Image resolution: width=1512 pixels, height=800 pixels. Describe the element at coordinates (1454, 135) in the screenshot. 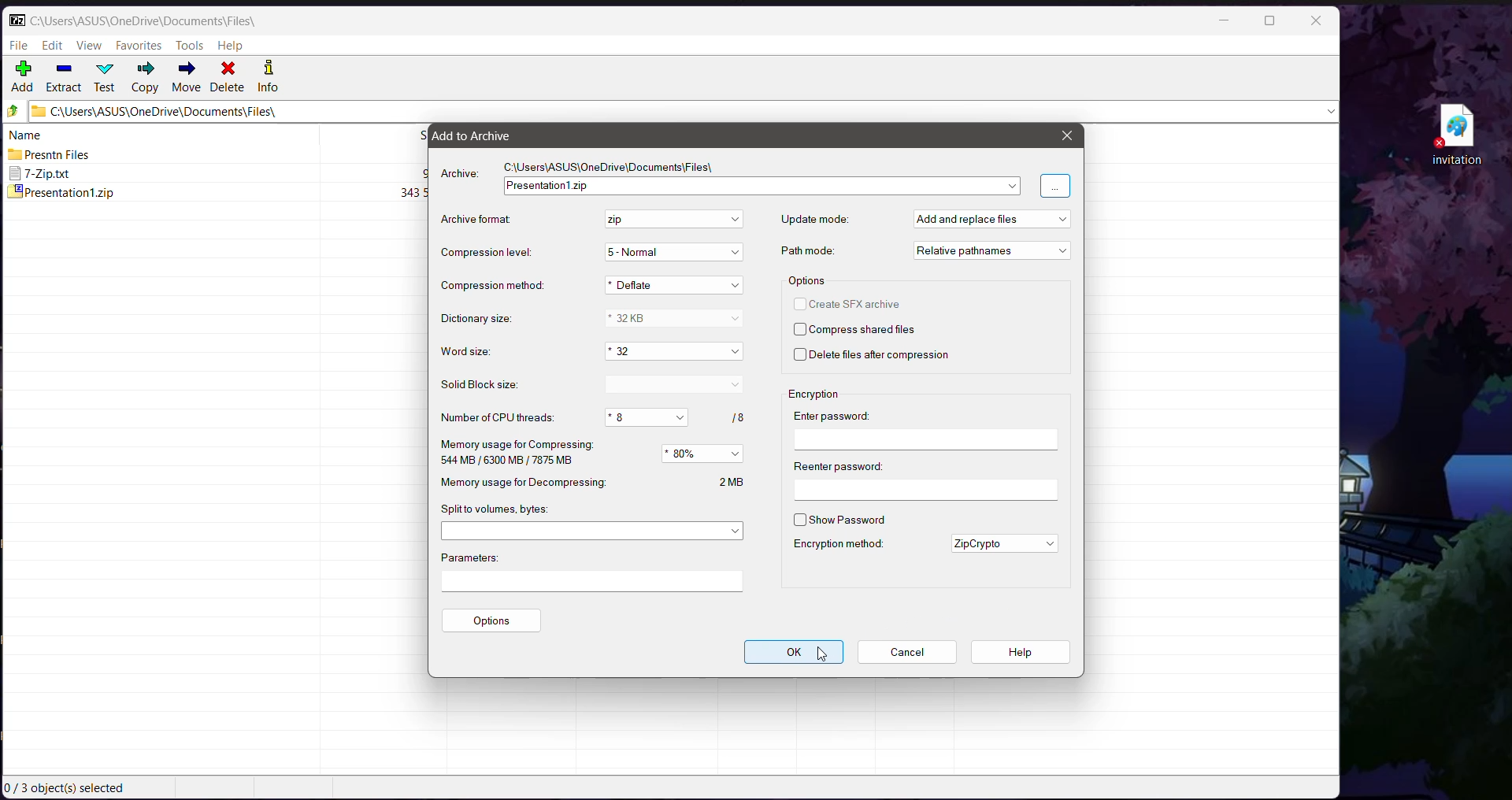

I see `File on Desktop` at that location.